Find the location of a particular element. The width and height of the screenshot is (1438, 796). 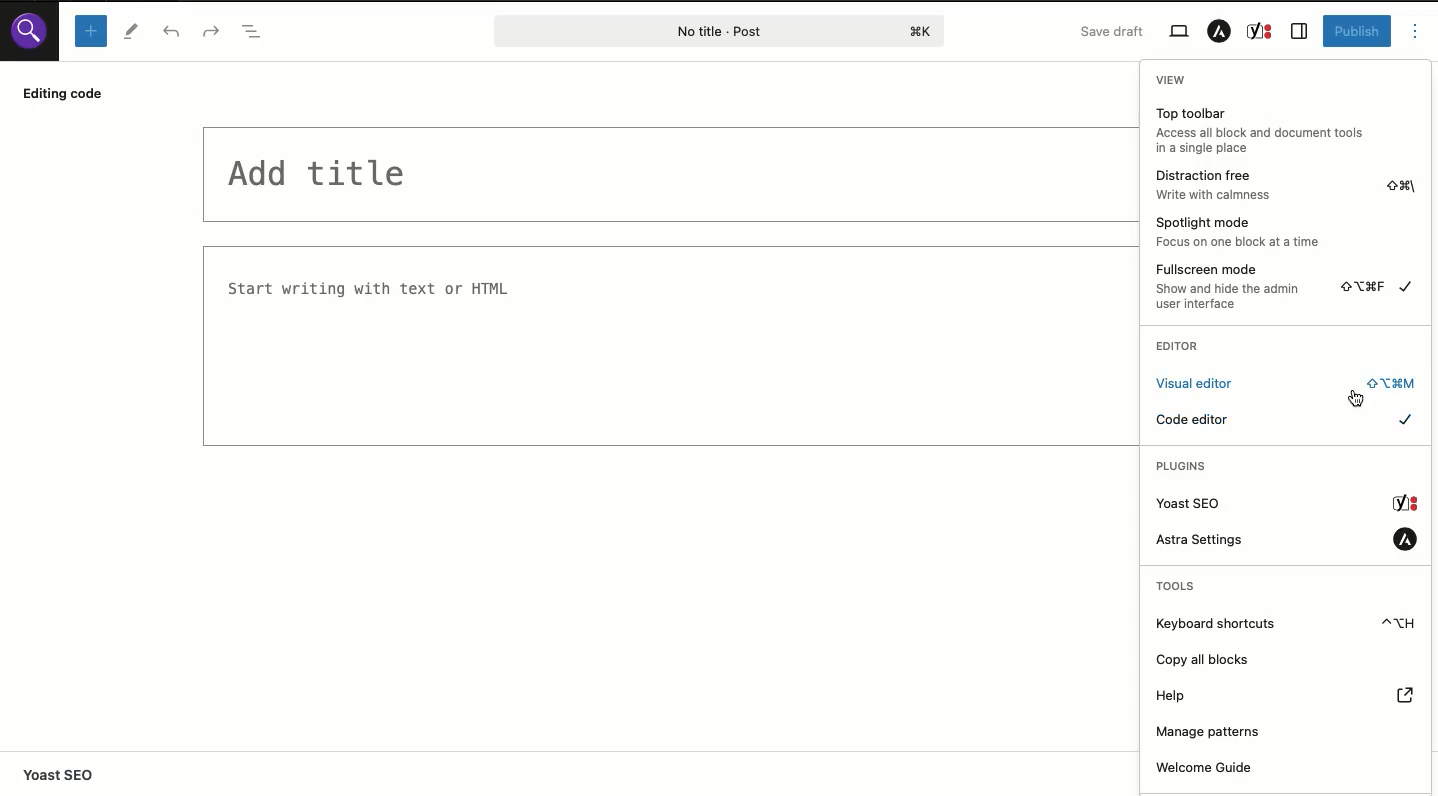

Click is located at coordinates (1285, 384).